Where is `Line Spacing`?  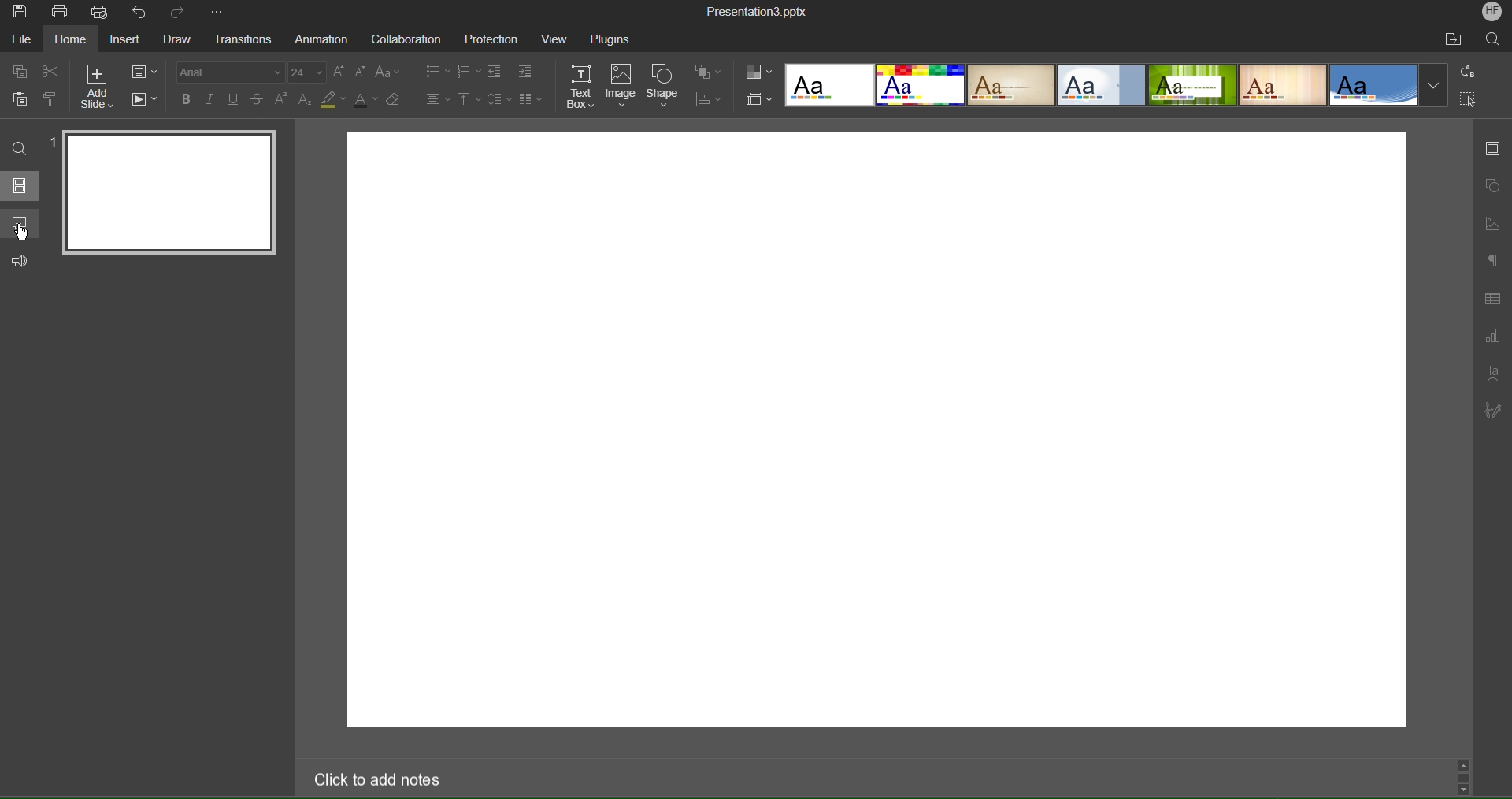 Line Spacing is located at coordinates (500, 100).